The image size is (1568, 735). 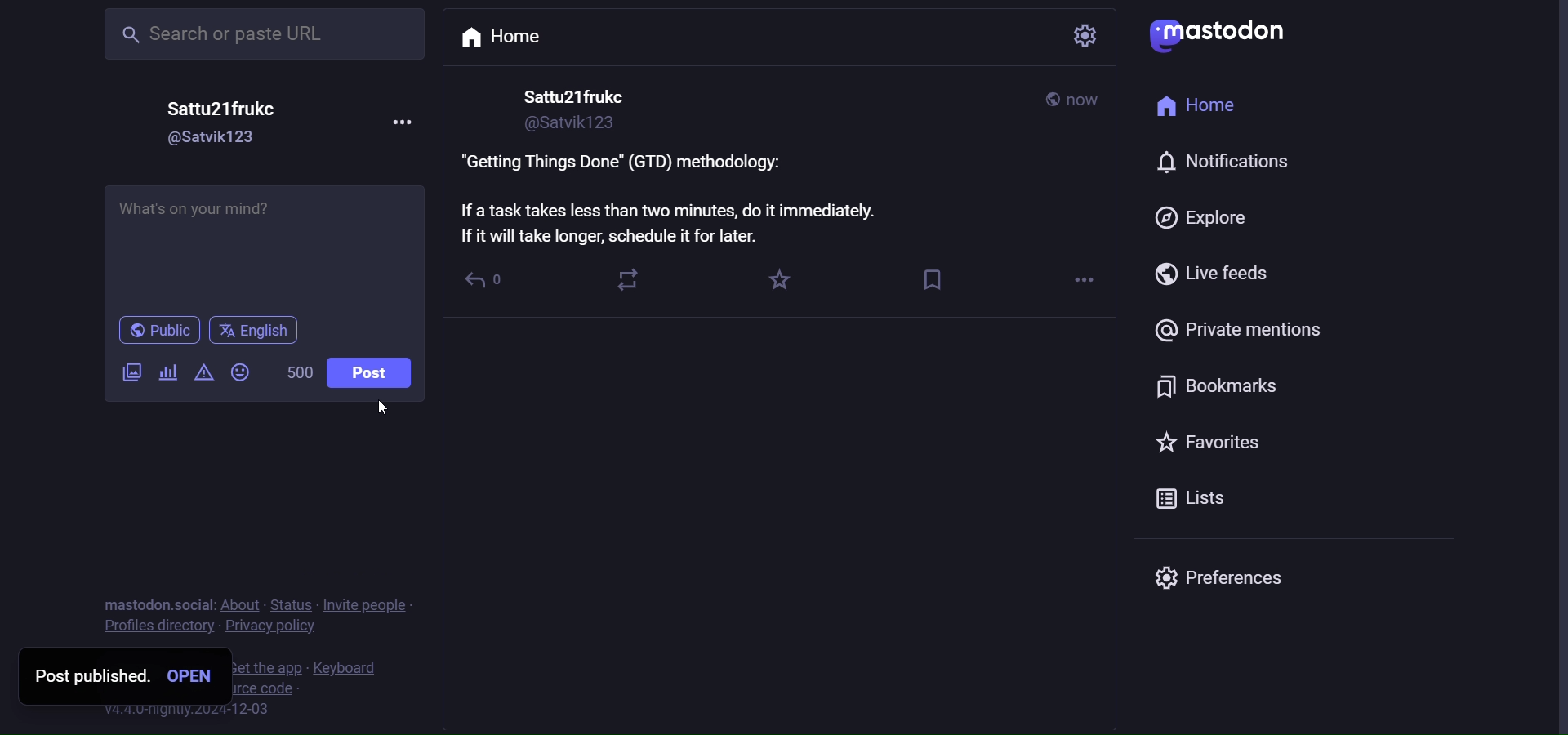 I want to click on live feed, so click(x=1218, y=274).